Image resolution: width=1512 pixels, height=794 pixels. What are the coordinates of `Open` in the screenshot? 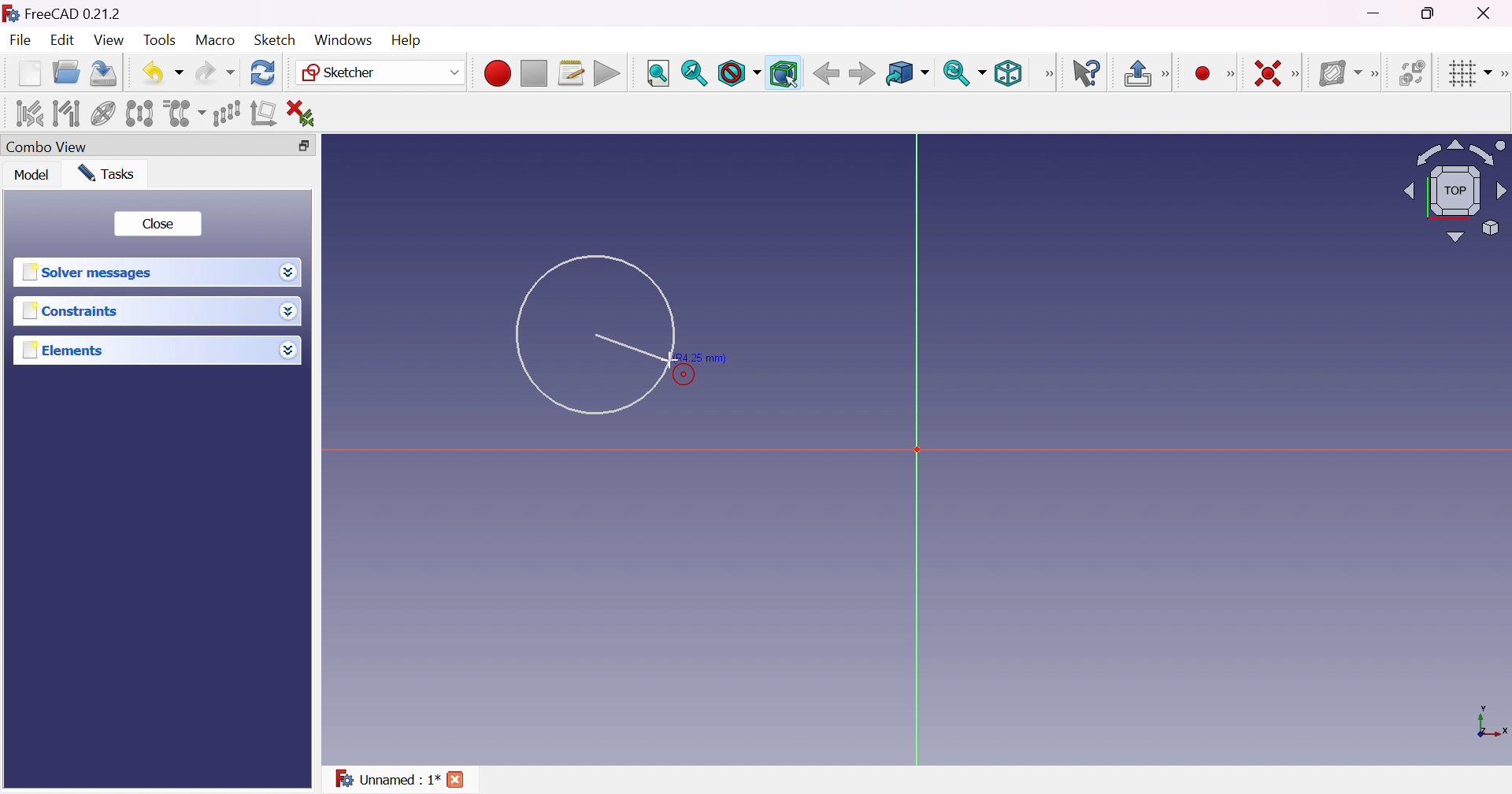 It's located at (66, 72).